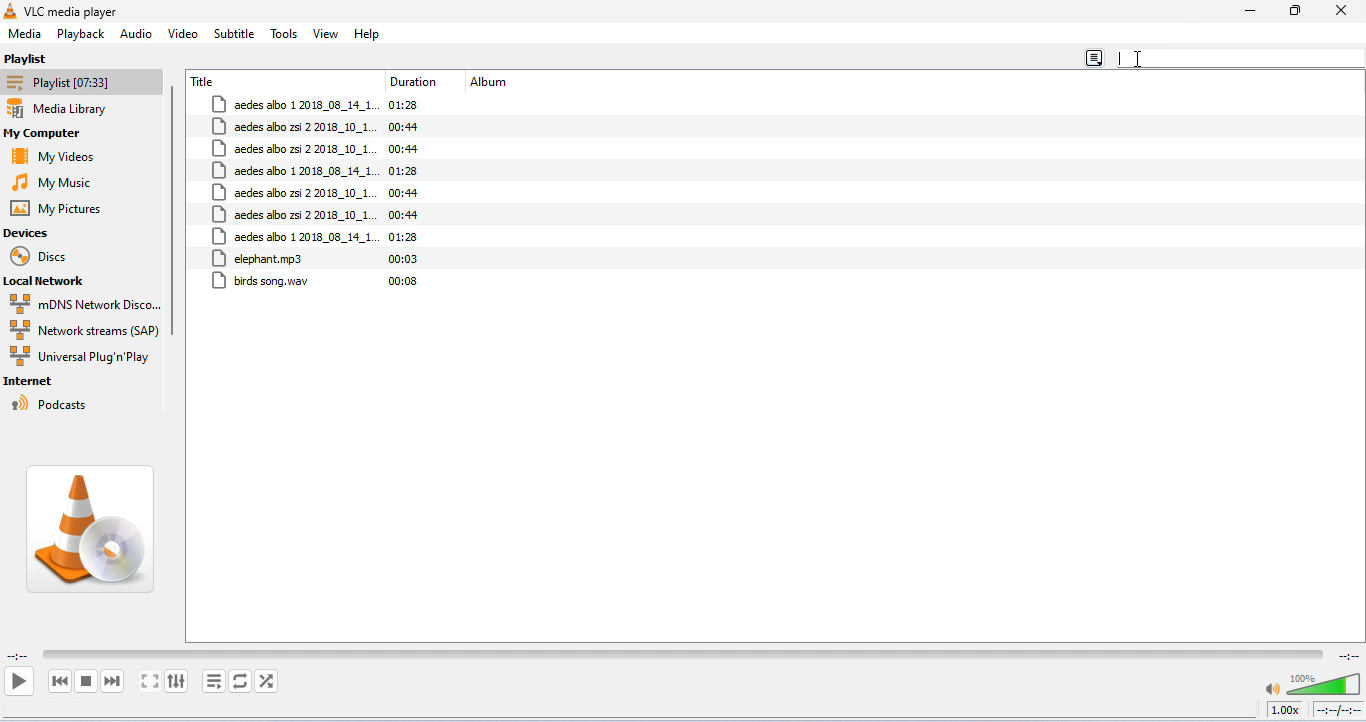  What do you see at coordinates (52, 404) in the screenshot?
I see `podcasts` at bounding box center [52, 404].